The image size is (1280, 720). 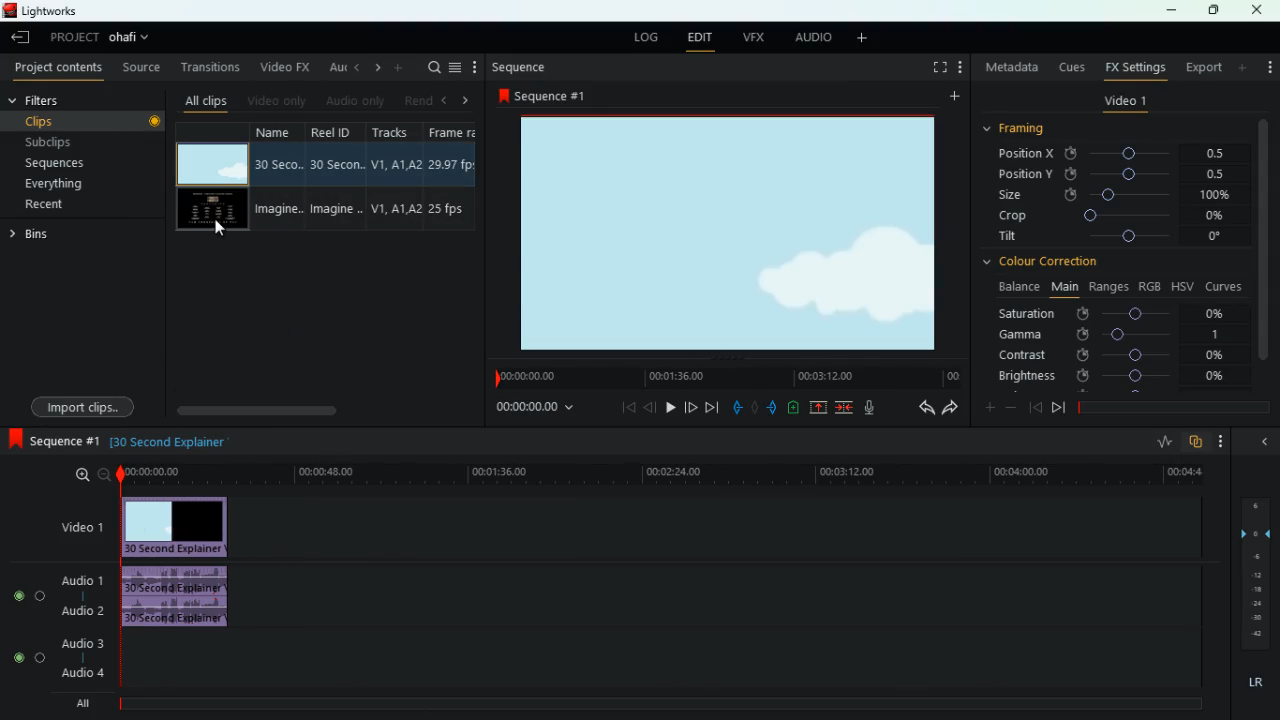 I want to click on saturation, so click(x=1116, y=313).